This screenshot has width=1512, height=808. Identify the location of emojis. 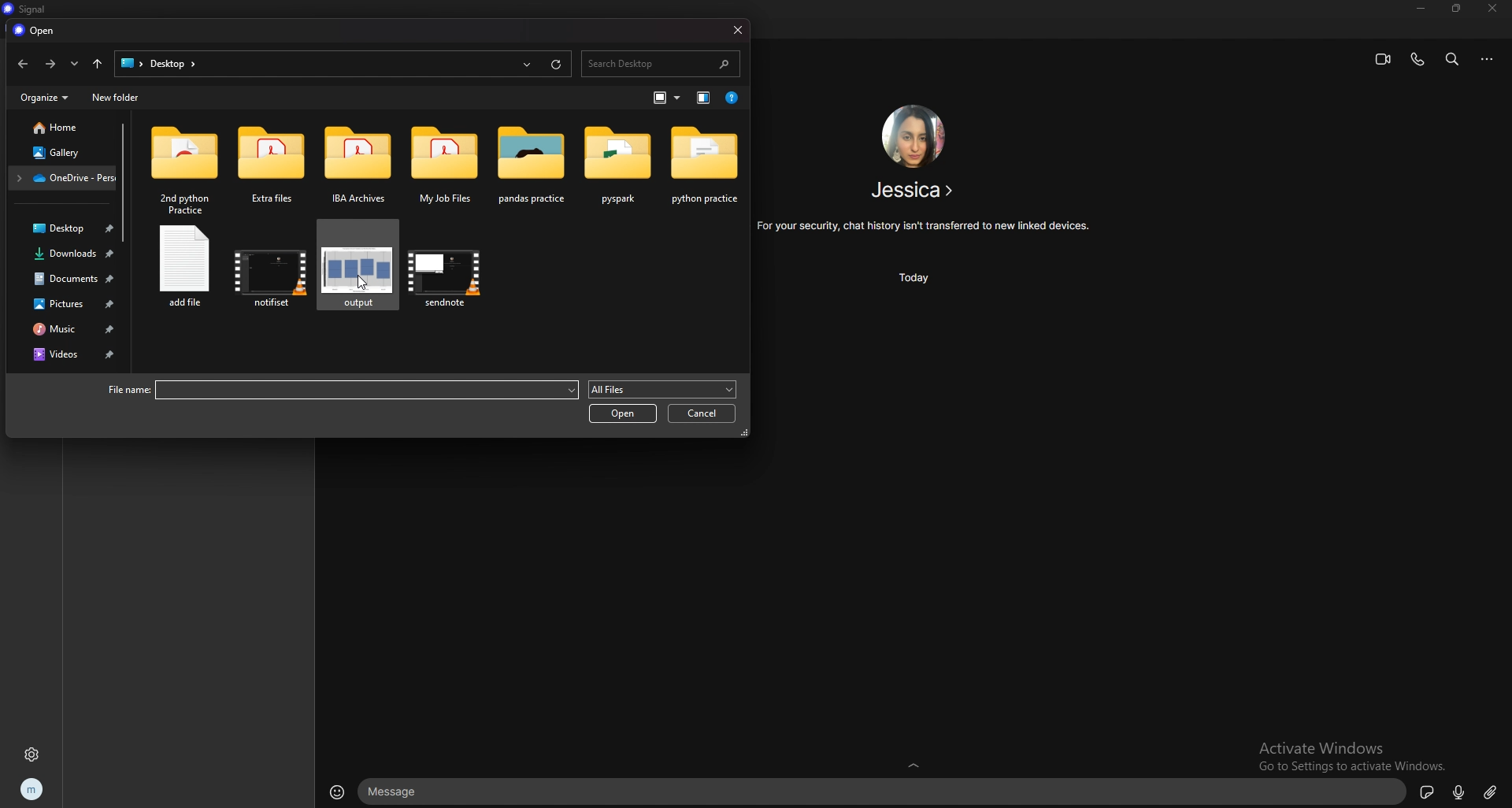
(336, 791).